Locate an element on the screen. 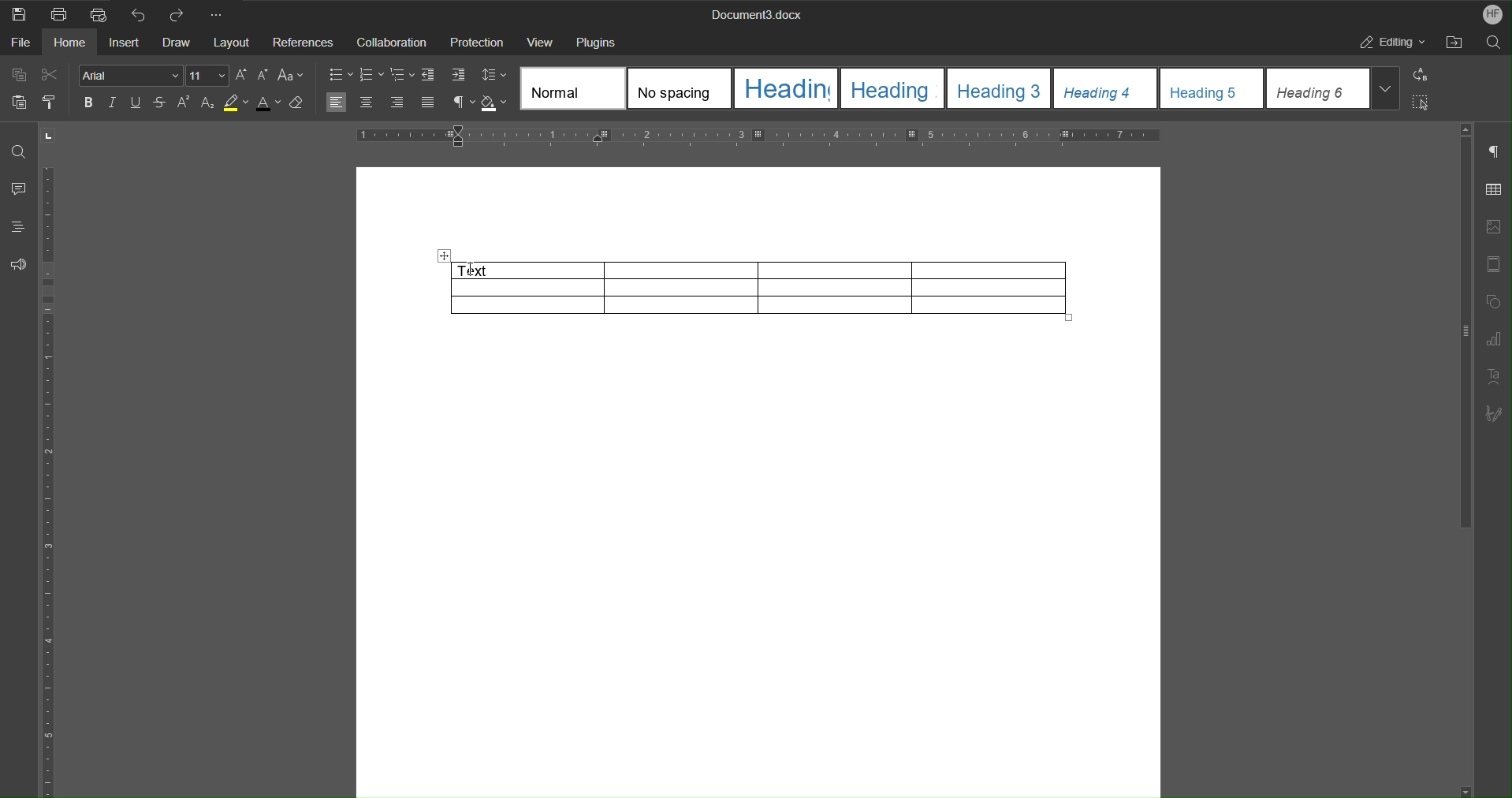 This screenshot has height=798, width=1512. Table Settings is located at coordinates (1495, 188).